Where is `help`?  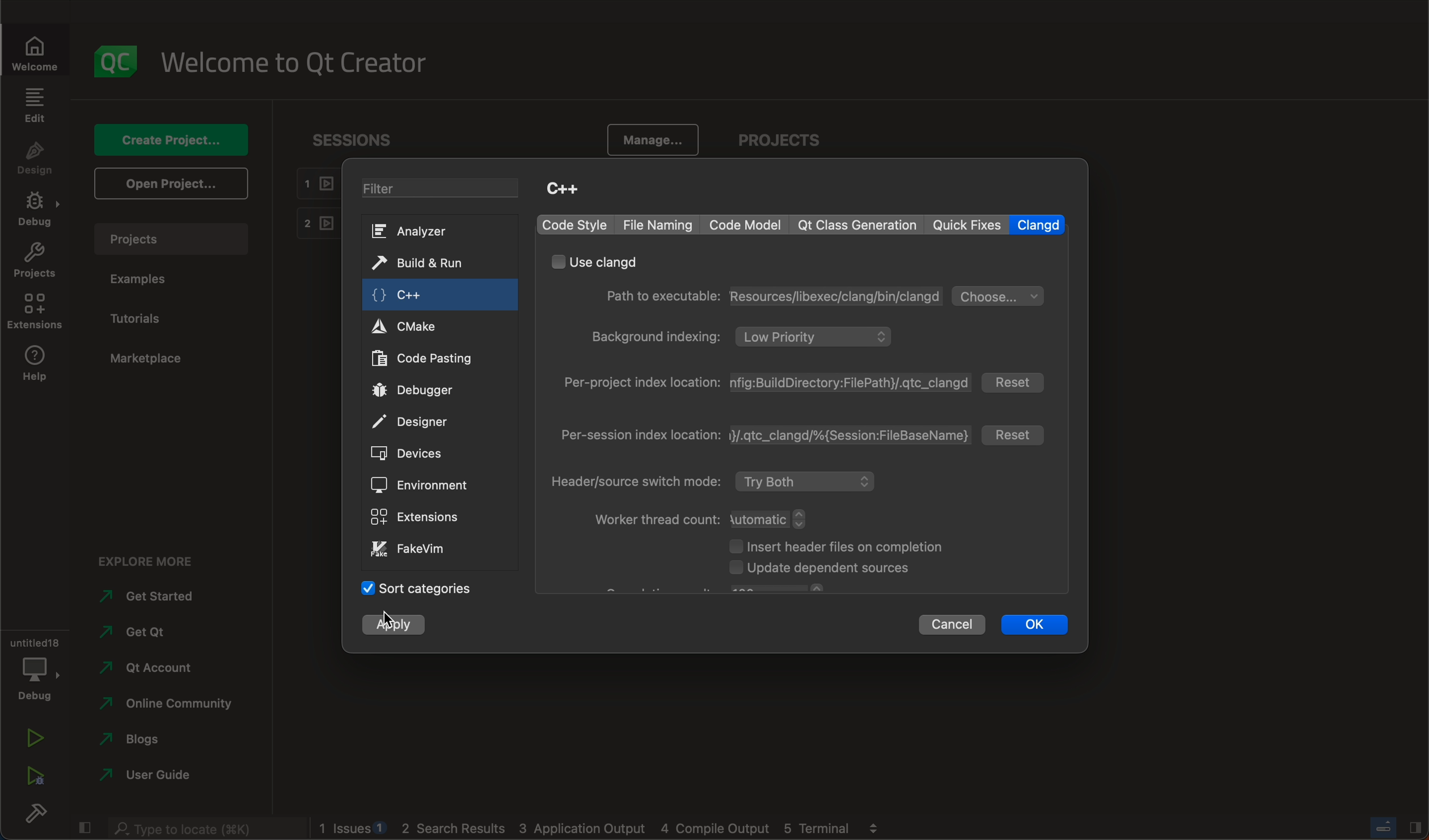 help is located at coordinates (39, 363).